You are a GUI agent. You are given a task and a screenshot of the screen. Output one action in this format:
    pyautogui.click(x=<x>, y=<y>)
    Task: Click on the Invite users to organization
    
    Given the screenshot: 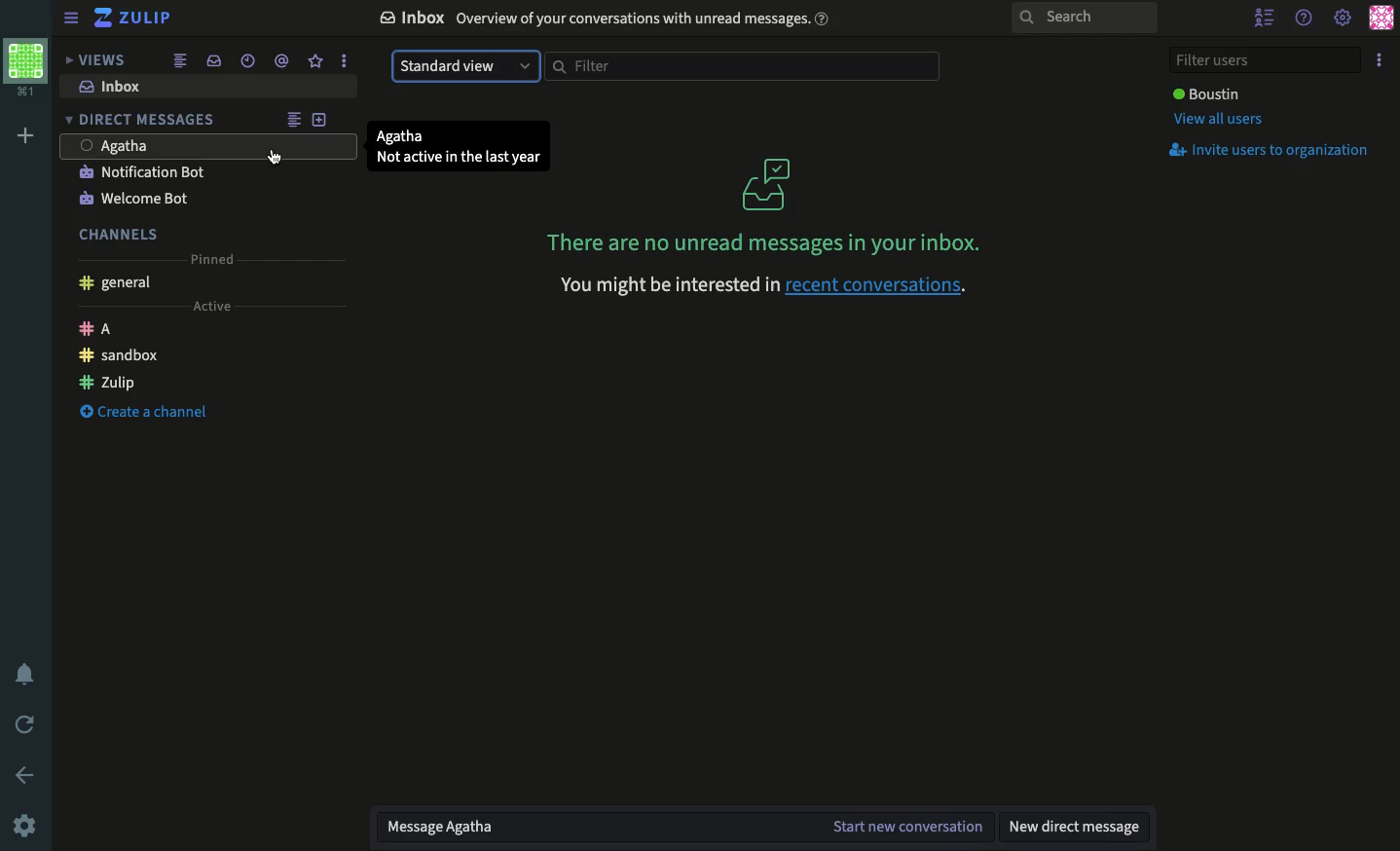 What is the action you would take?
    pyautogui.click(x=1271, y=152)
    